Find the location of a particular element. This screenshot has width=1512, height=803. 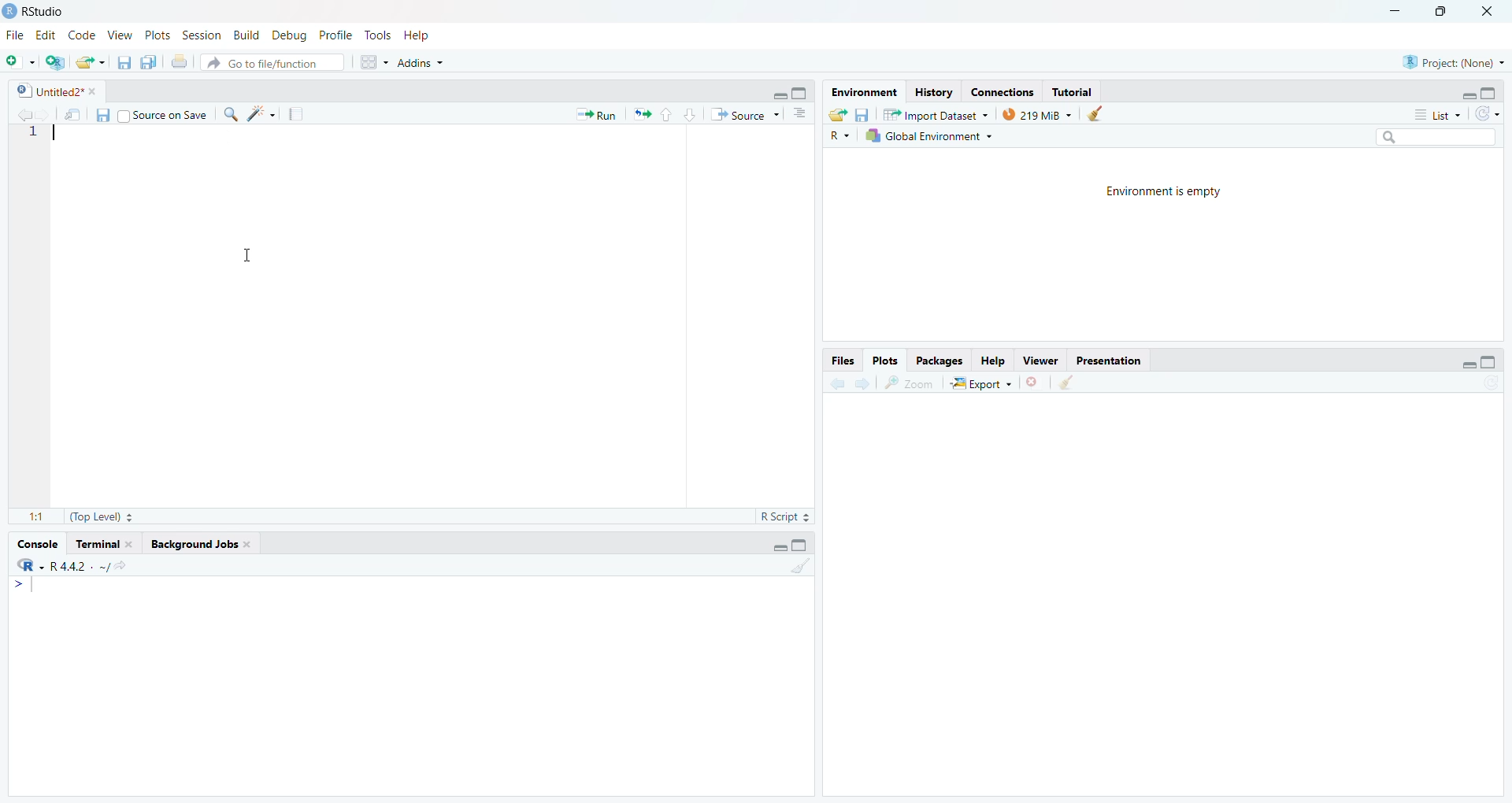

Go to file/function is located at coordinates (272, 62).